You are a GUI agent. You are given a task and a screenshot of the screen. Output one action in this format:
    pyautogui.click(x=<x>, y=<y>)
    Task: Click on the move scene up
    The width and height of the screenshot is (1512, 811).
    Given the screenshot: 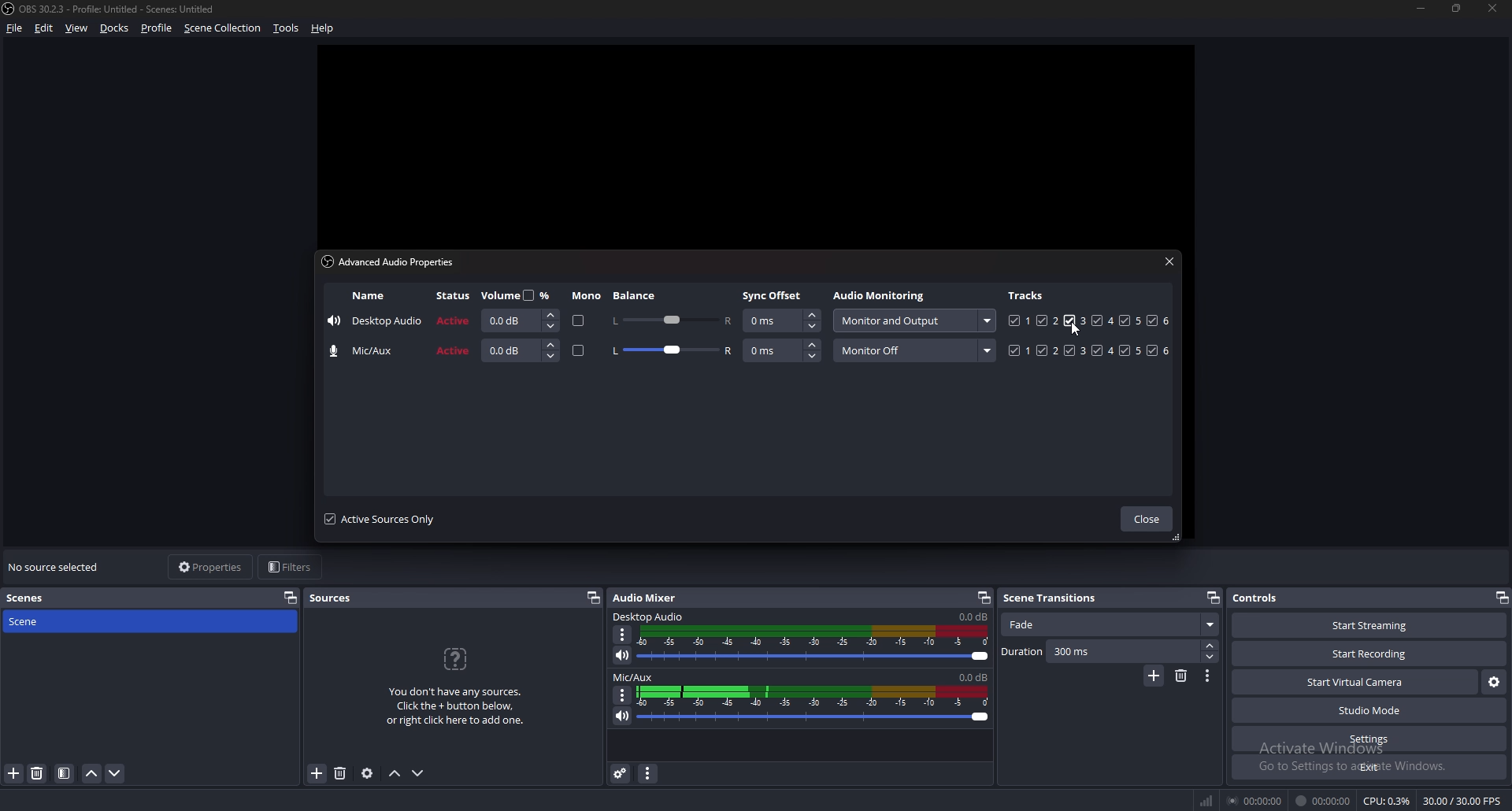 What is the action you would take?
    pyautogui.click(x=93, y=774)
    